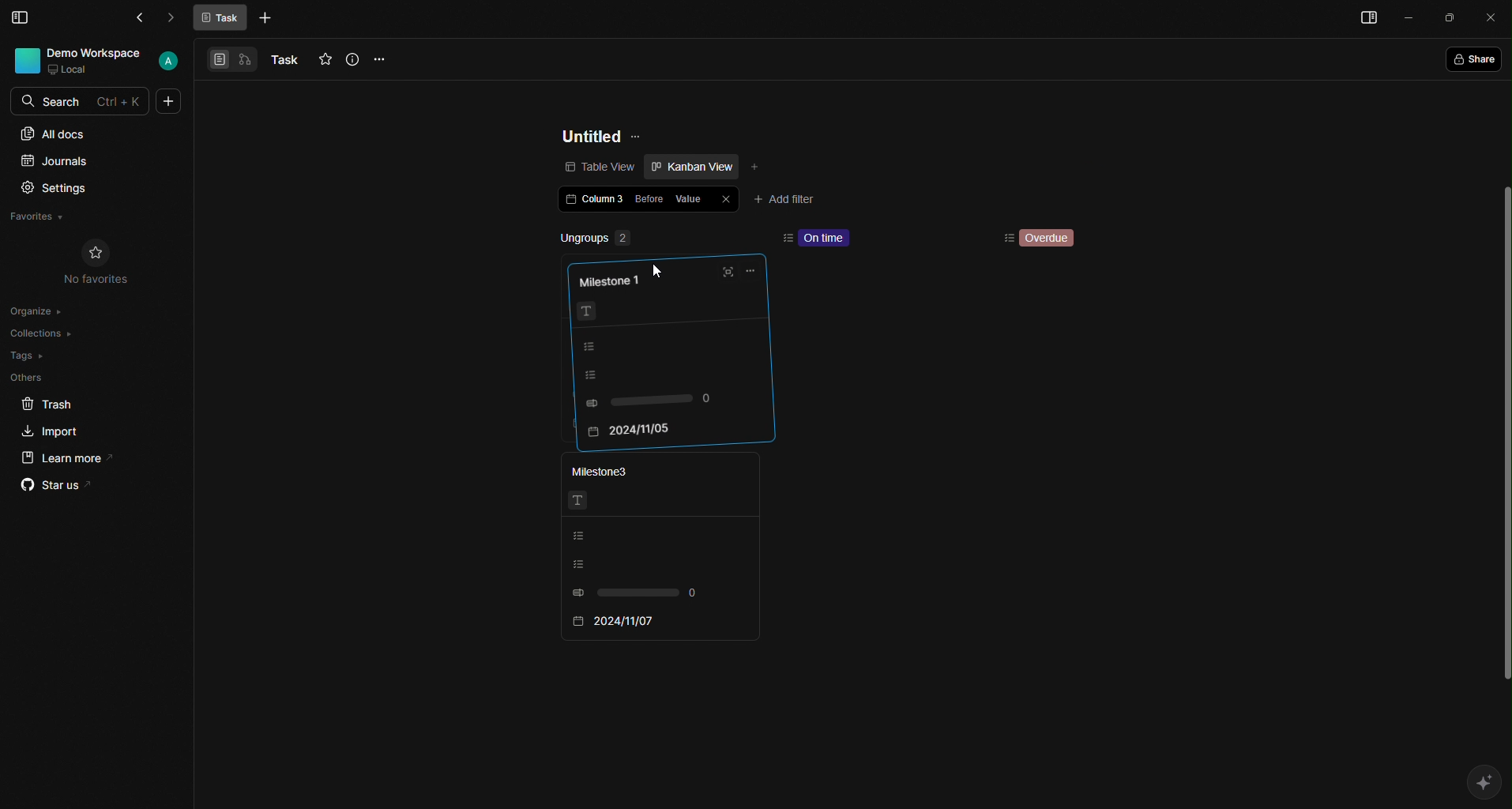 This screenshot has width=1512, height=809. Describe the element at coordinates (788, 238) in the screenshot. I see `sort` at that location.